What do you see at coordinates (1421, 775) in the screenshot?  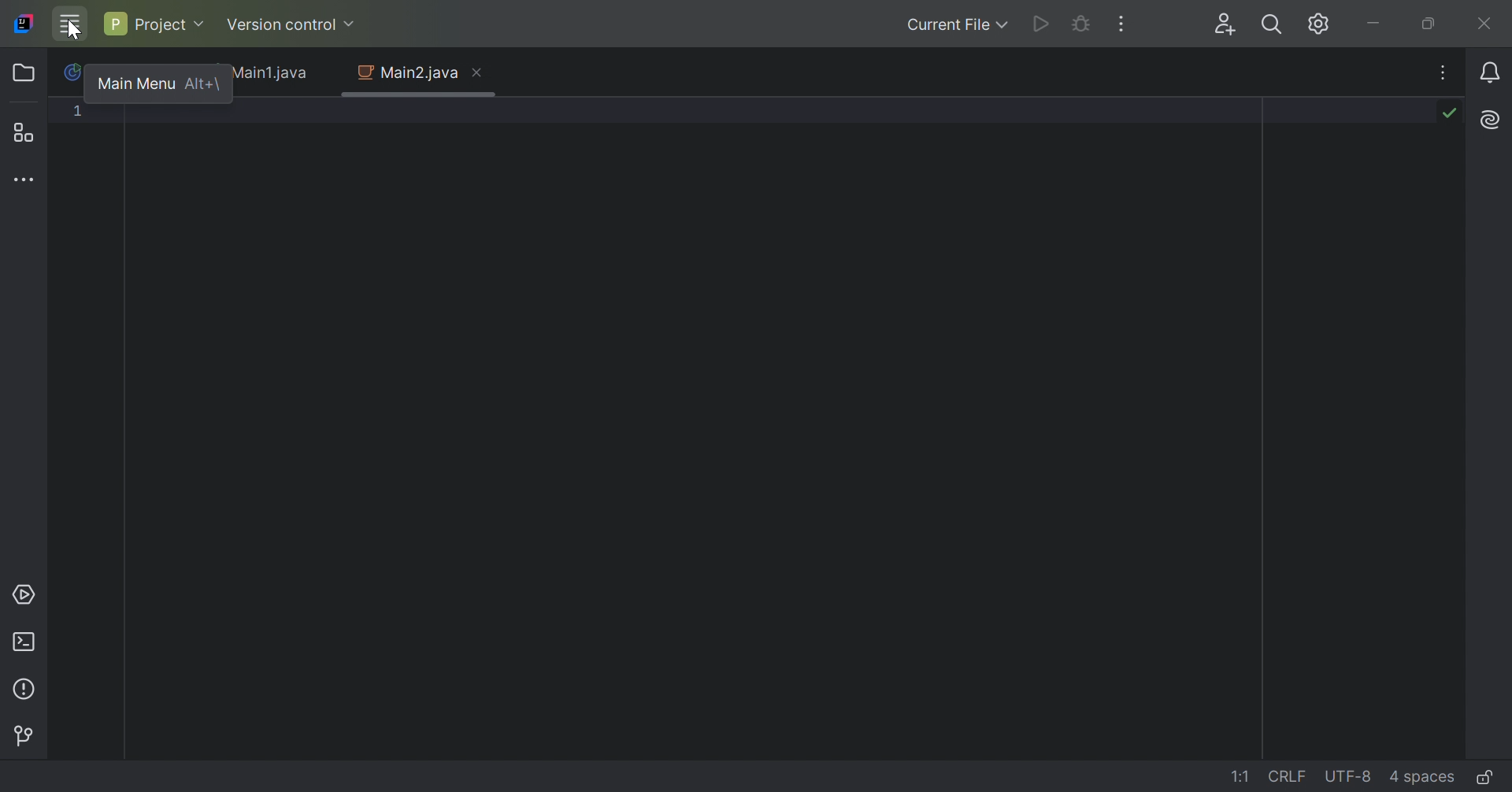 I see `4 spaces` at bounding box center [1421, 775].